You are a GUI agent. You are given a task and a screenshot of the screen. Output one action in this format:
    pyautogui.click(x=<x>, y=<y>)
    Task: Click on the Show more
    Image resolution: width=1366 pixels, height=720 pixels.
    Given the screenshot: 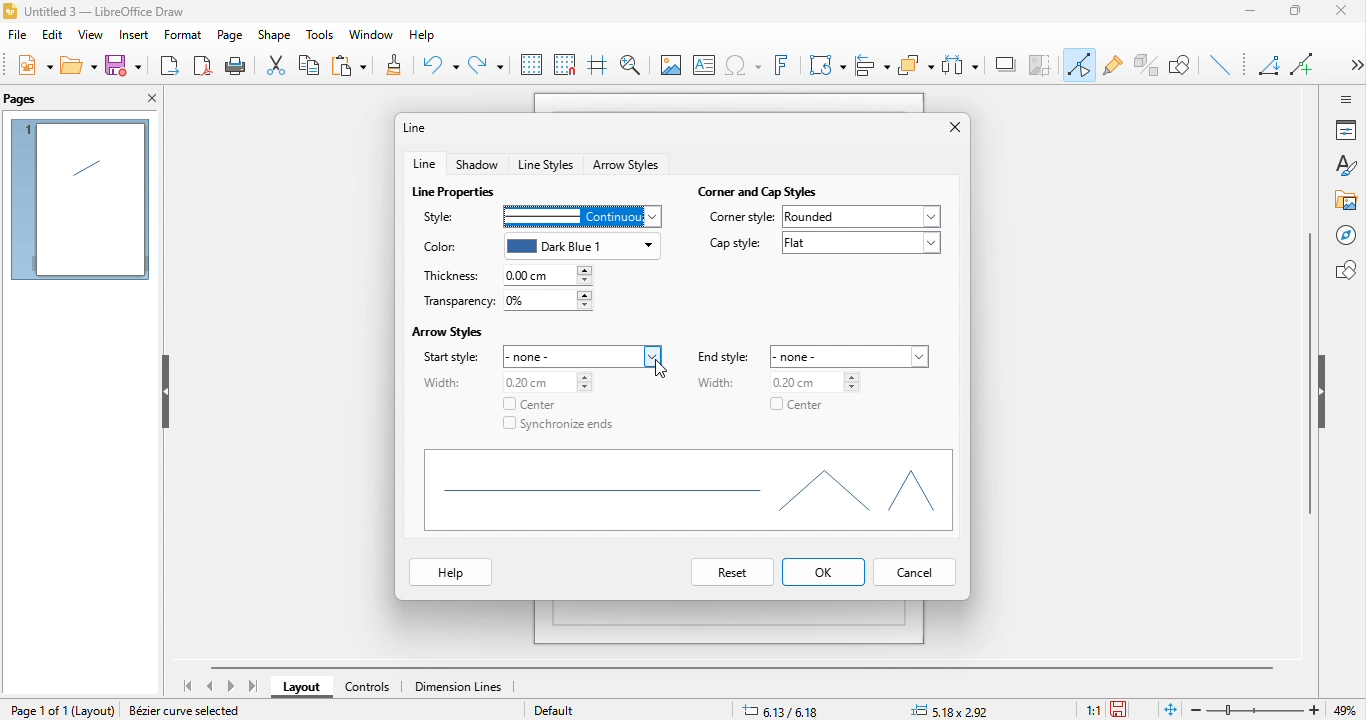 What is the action you would take?
    pyautogui.click(x=1349, y=58)
    